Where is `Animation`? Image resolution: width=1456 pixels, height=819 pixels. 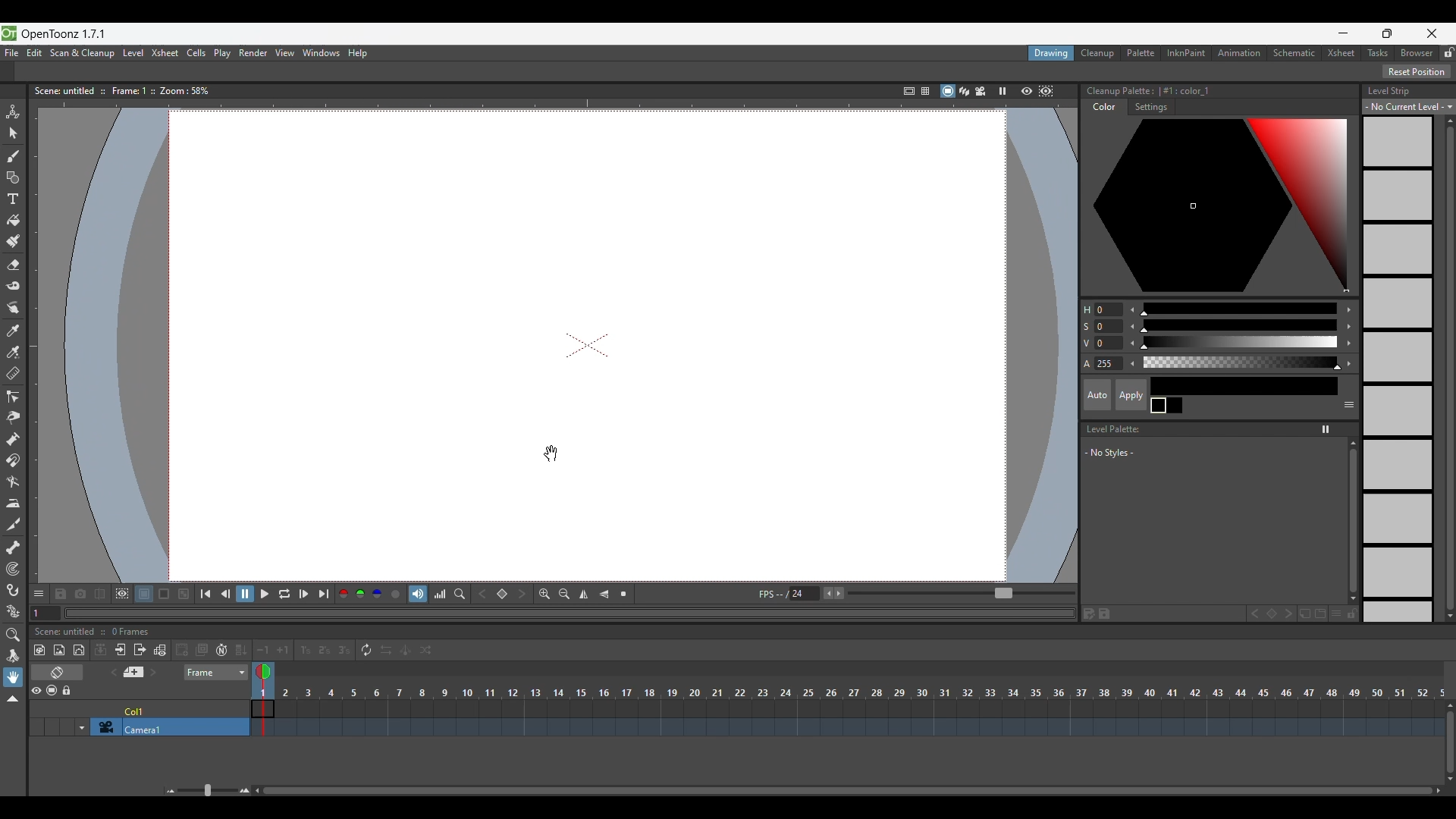
Animation is located at coordinates (1239, 53).